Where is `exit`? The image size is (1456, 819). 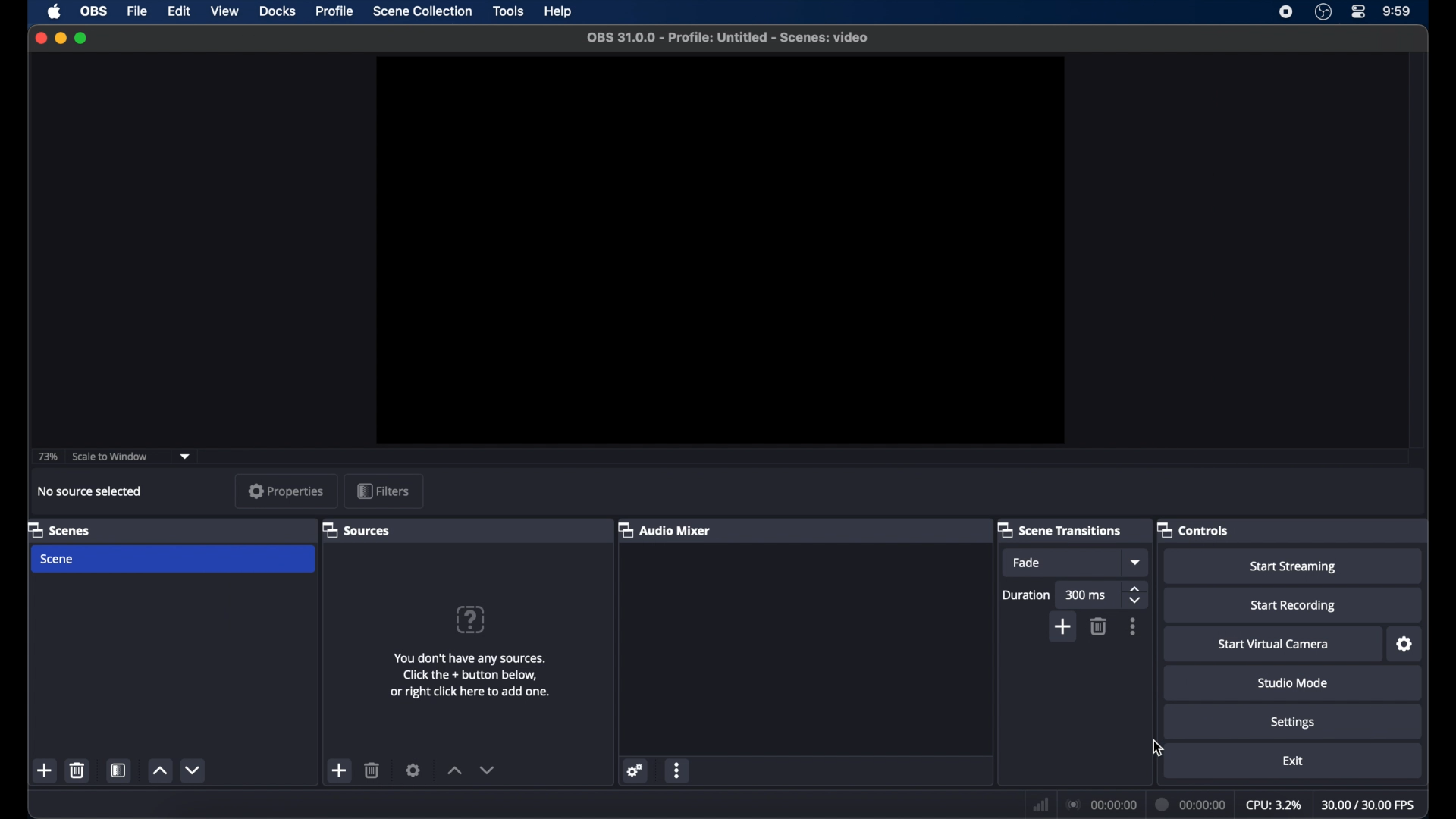 exit is located at coordinates (1292, 761).